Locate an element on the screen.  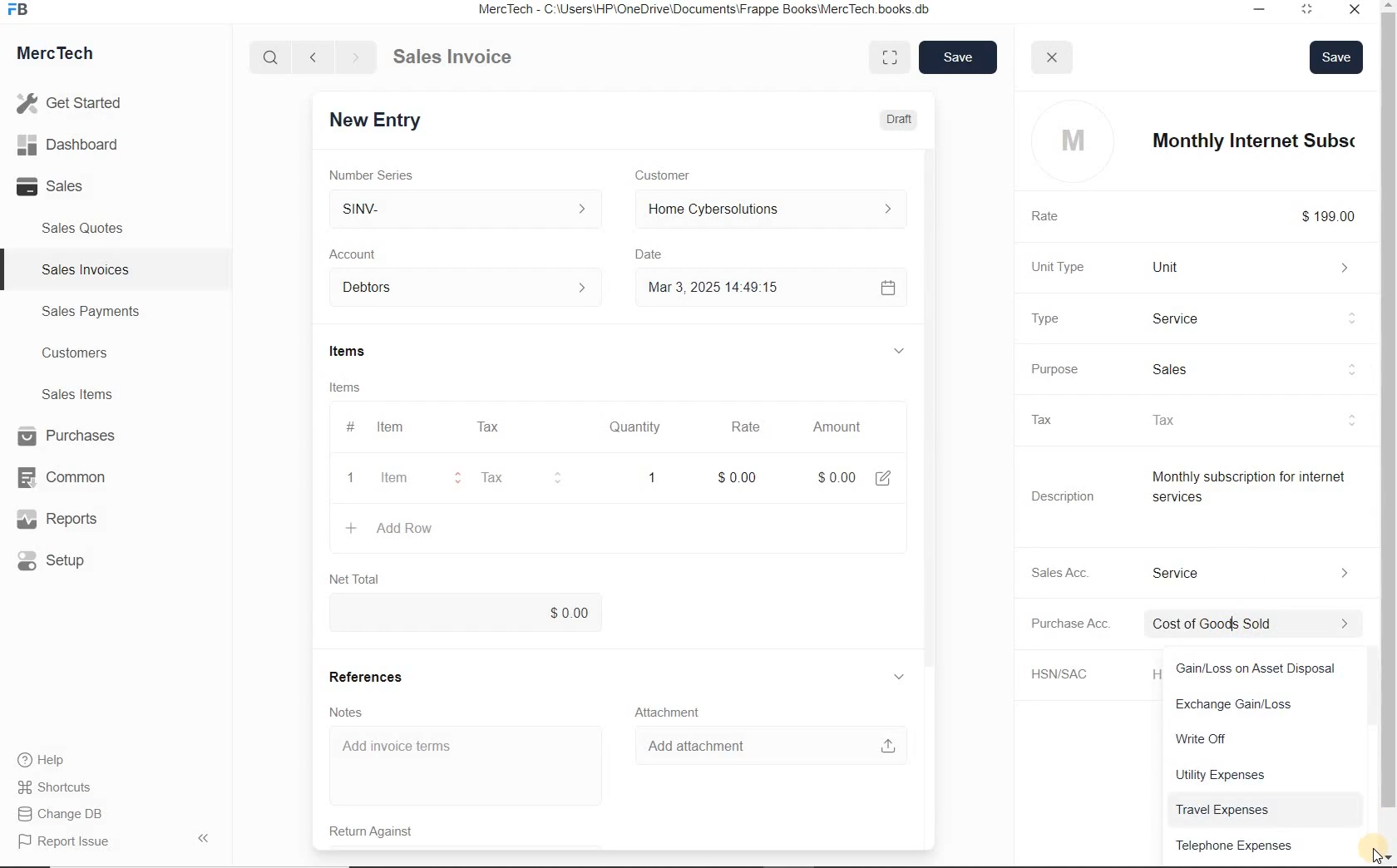
Items is located at coordinates (363, 387).